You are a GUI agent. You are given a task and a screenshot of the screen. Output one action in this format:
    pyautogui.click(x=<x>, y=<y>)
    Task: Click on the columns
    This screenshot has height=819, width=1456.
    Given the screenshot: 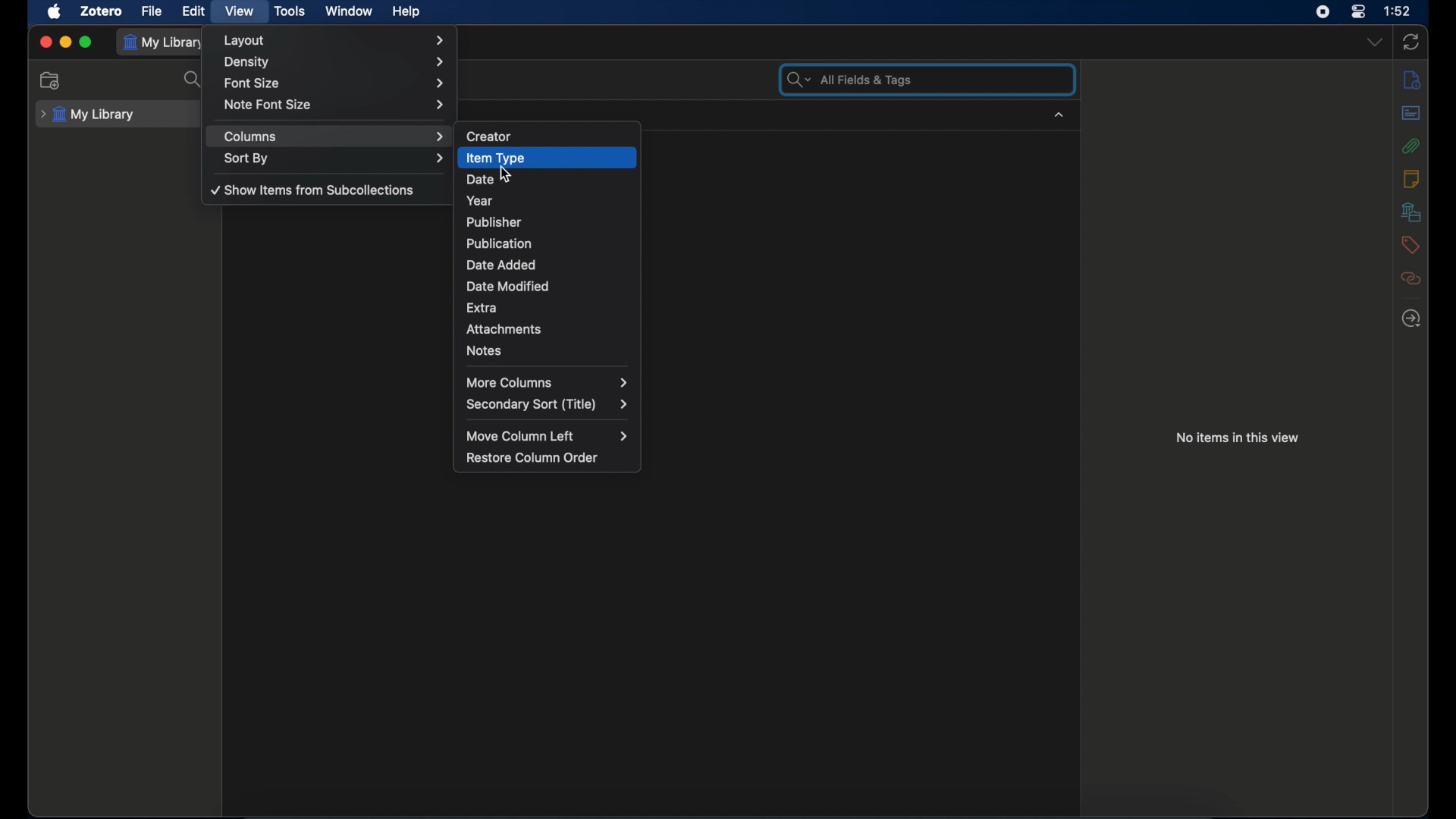 What is the action you would take?
    pyautogui.click(x=335, y=136)
    